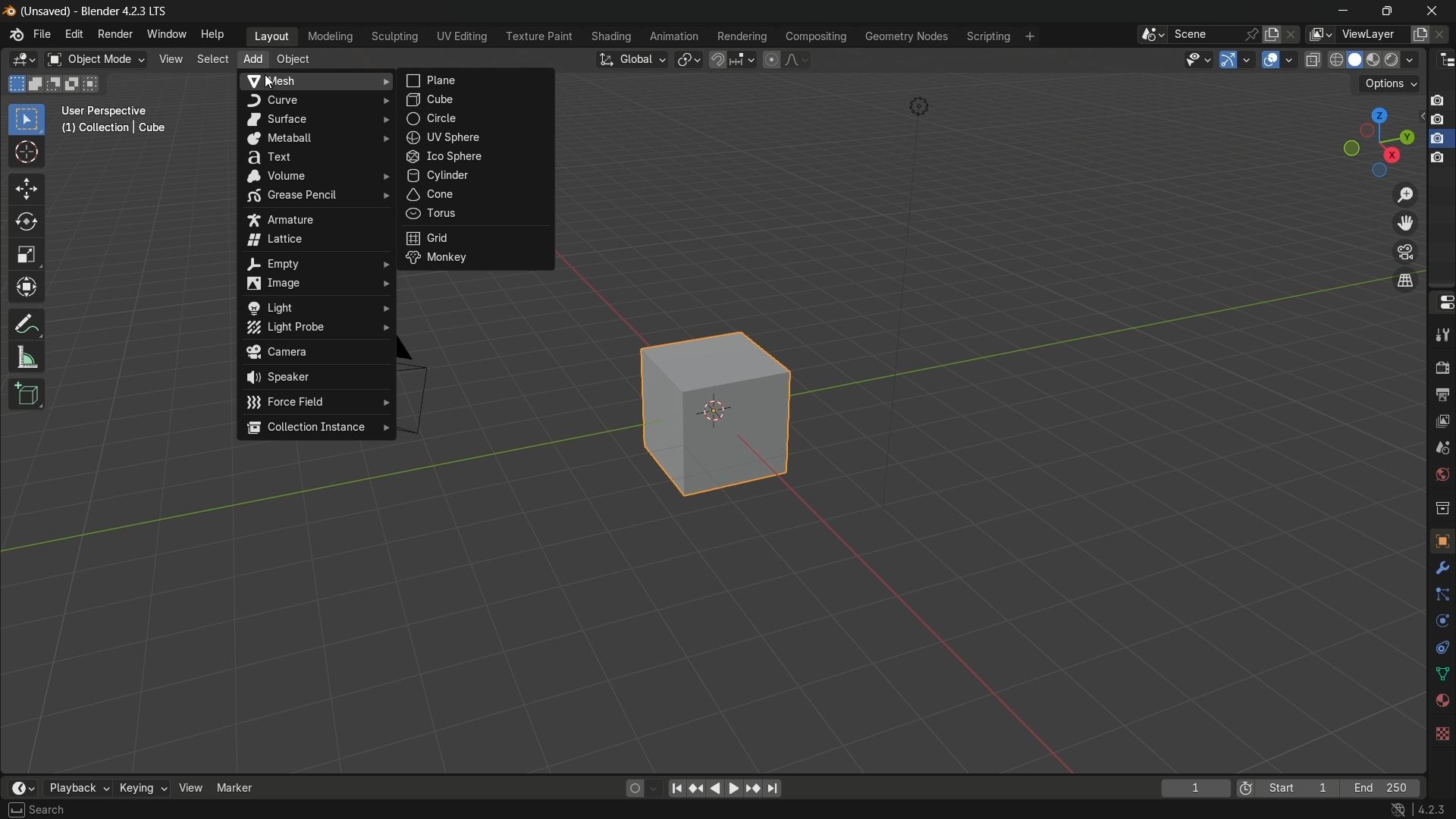  I want to click on lattice, so click(312, 239).